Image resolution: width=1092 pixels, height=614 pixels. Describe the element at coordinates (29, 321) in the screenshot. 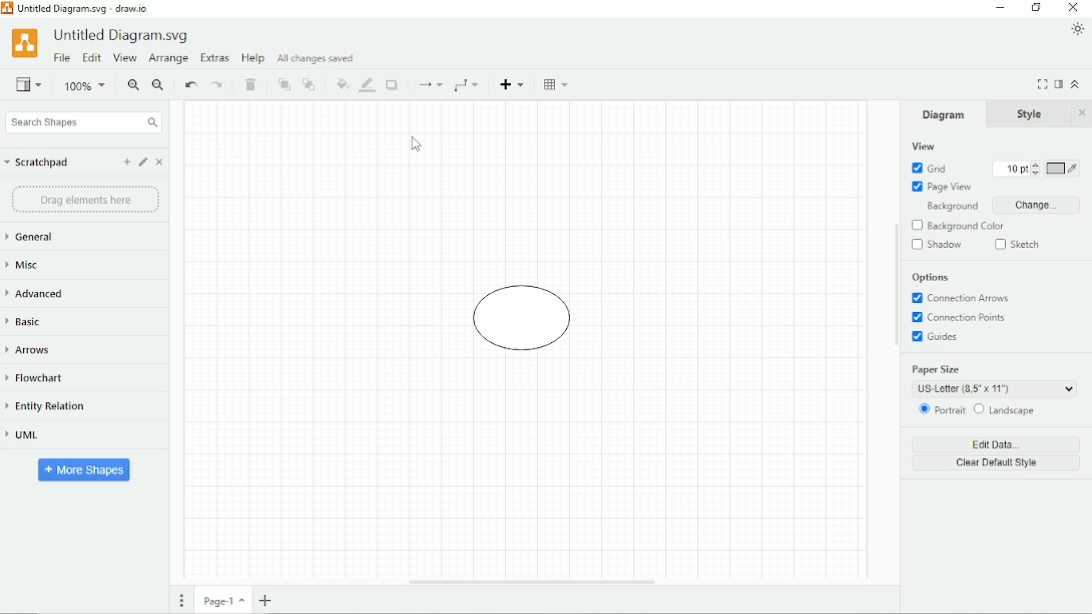

I see `Basic` at that location.